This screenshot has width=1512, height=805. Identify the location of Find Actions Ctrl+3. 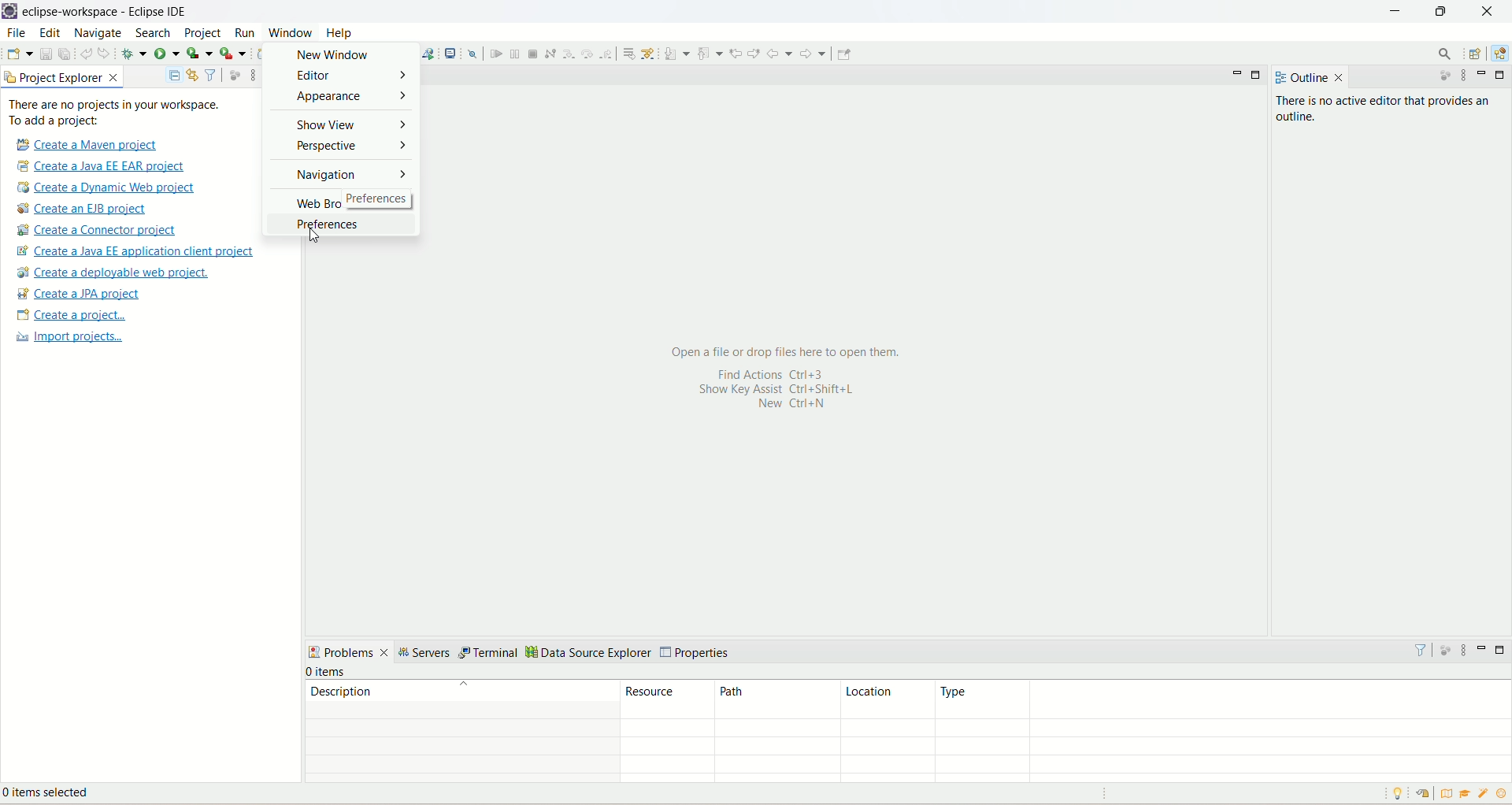
(765, 373).